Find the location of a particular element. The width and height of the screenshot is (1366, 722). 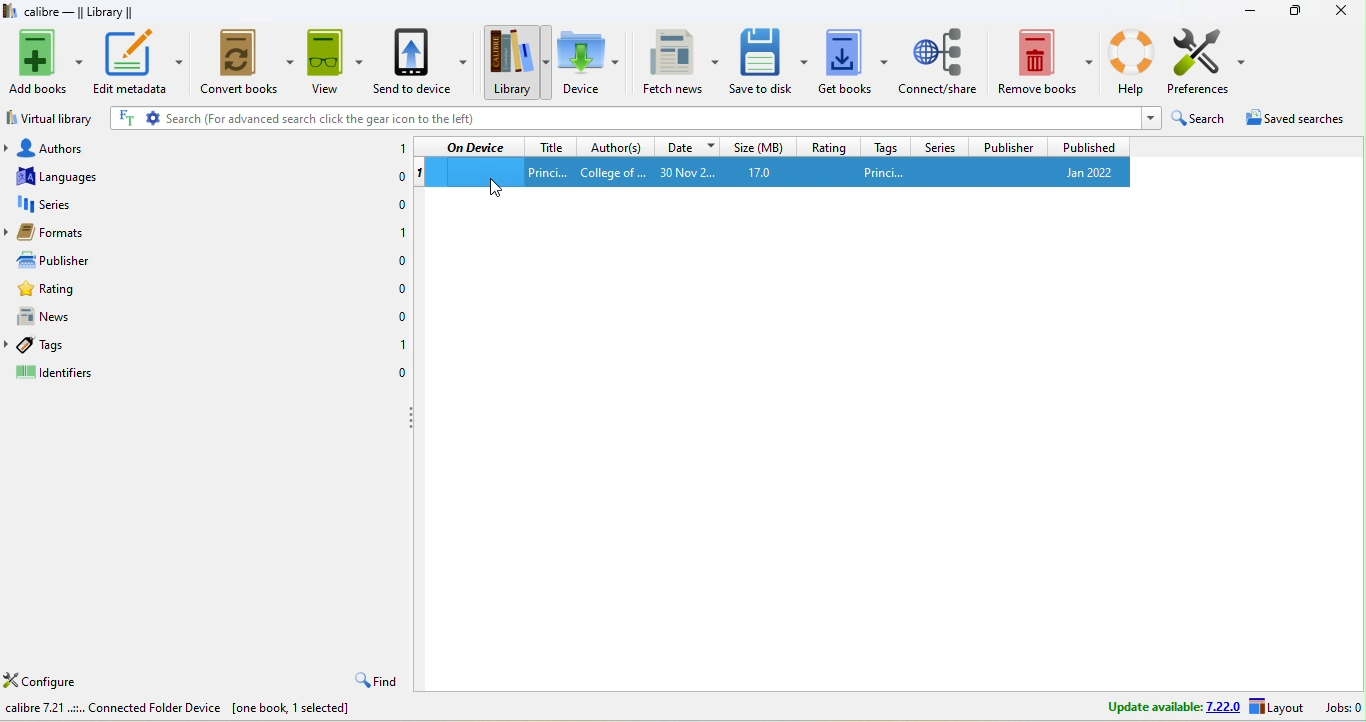

on device is located at coordinates (475, 147).